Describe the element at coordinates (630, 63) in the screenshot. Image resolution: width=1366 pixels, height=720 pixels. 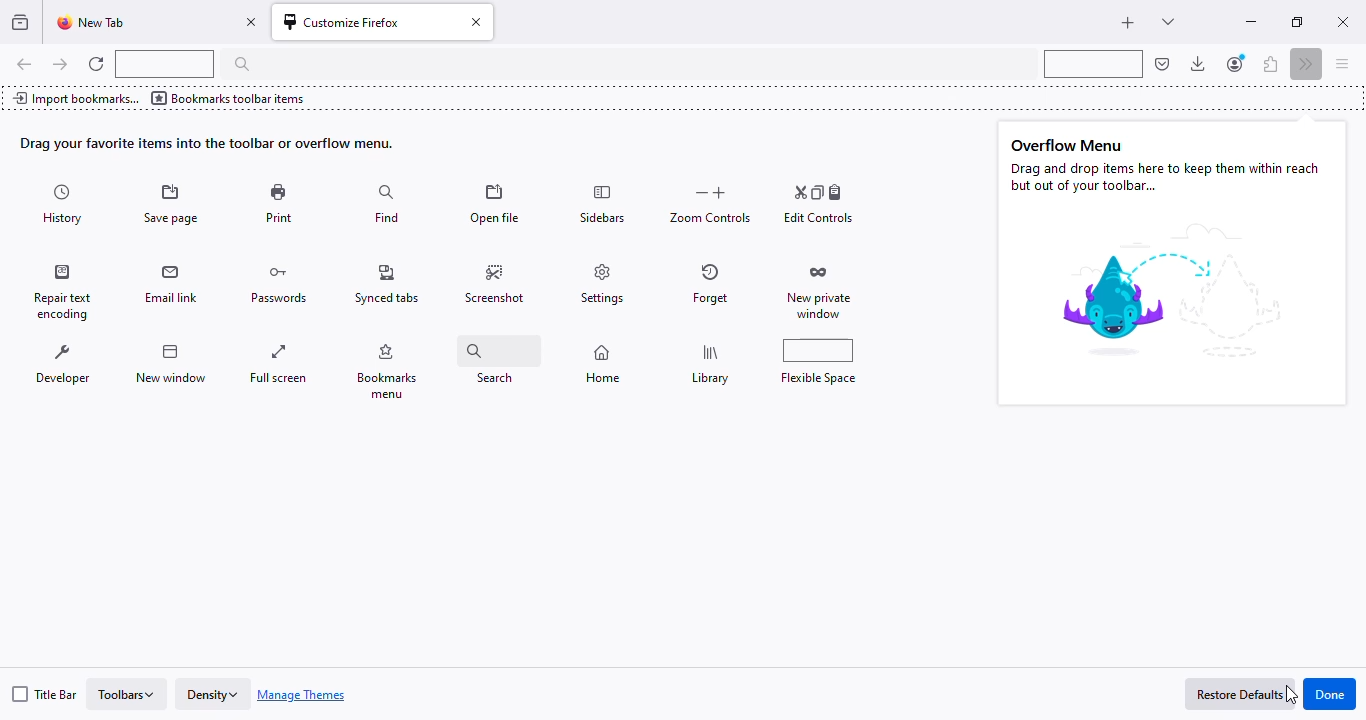
I see `search` at that location.